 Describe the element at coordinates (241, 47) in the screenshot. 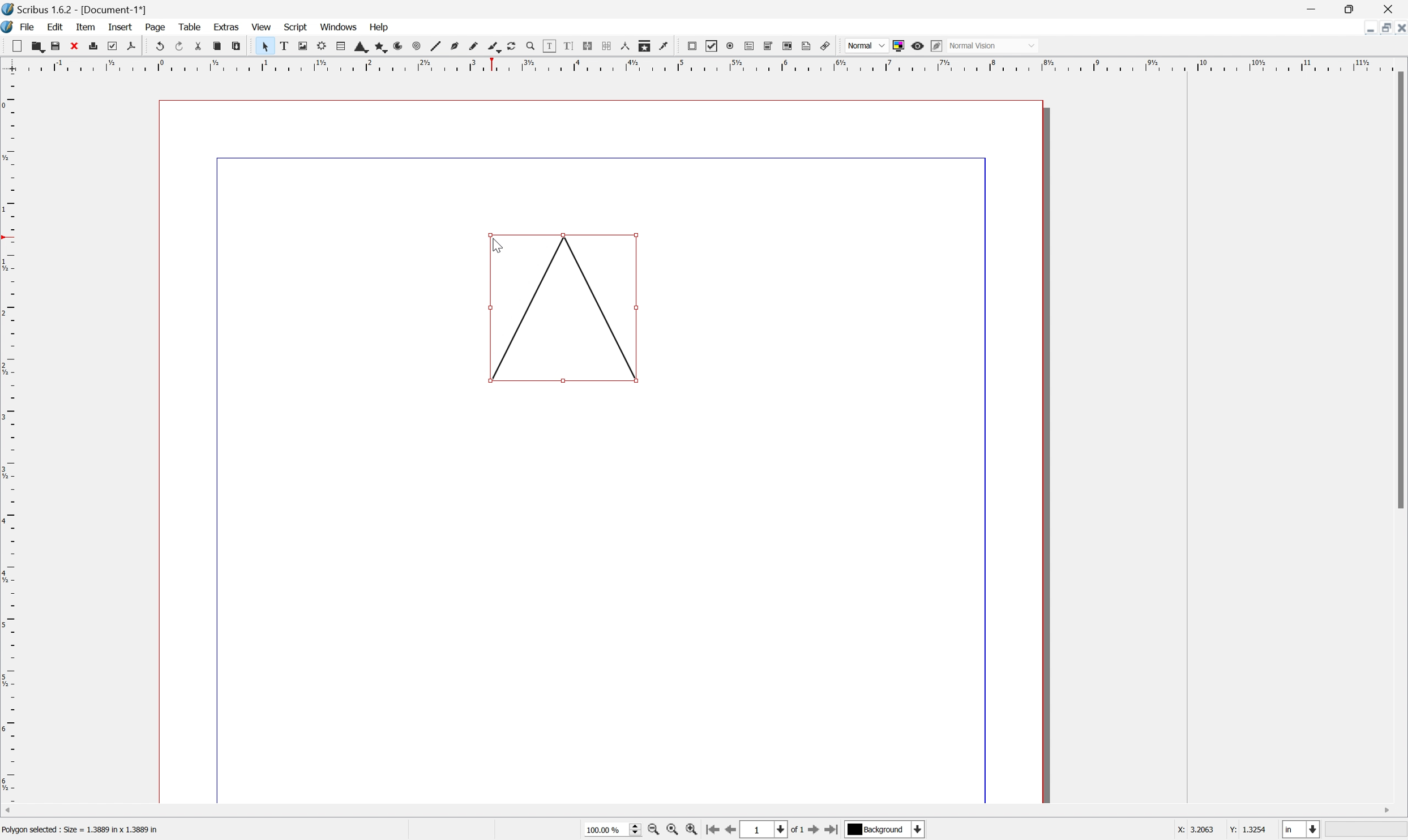

I see `Paste` at that location.